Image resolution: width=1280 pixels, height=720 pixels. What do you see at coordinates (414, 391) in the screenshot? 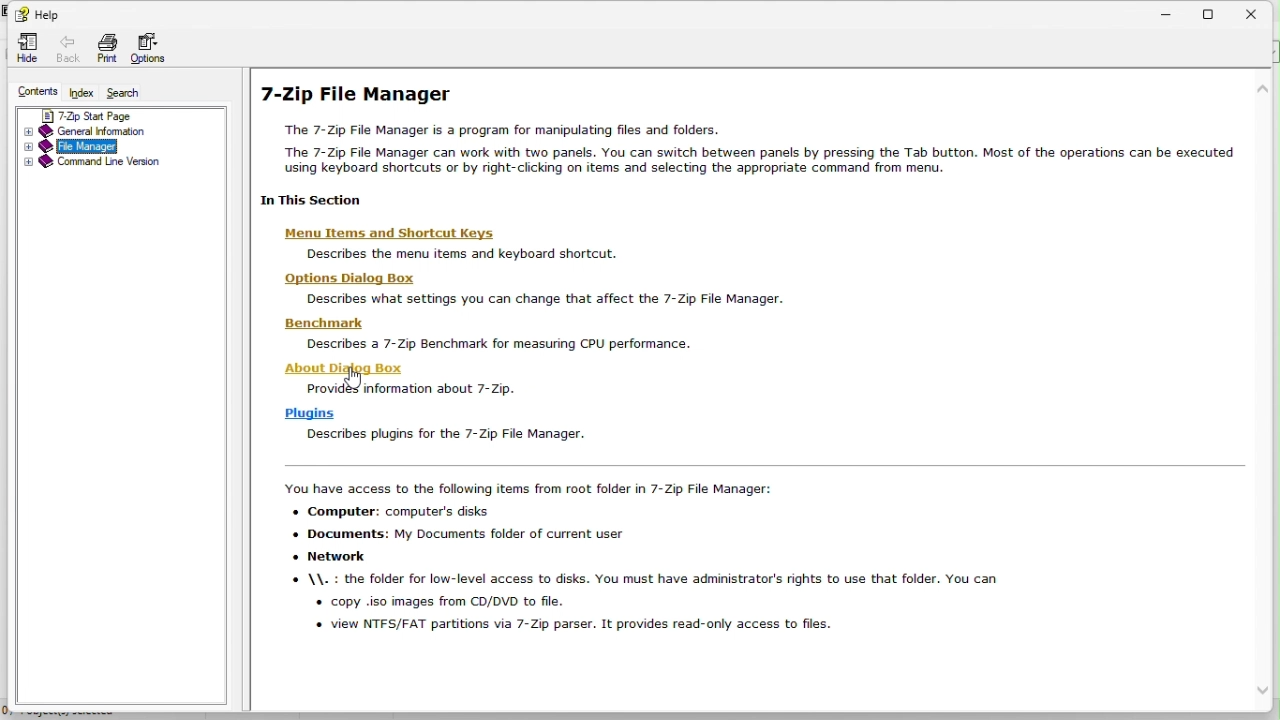
I see `provides information about 7-Zip.` at bounding box center [414, 391].